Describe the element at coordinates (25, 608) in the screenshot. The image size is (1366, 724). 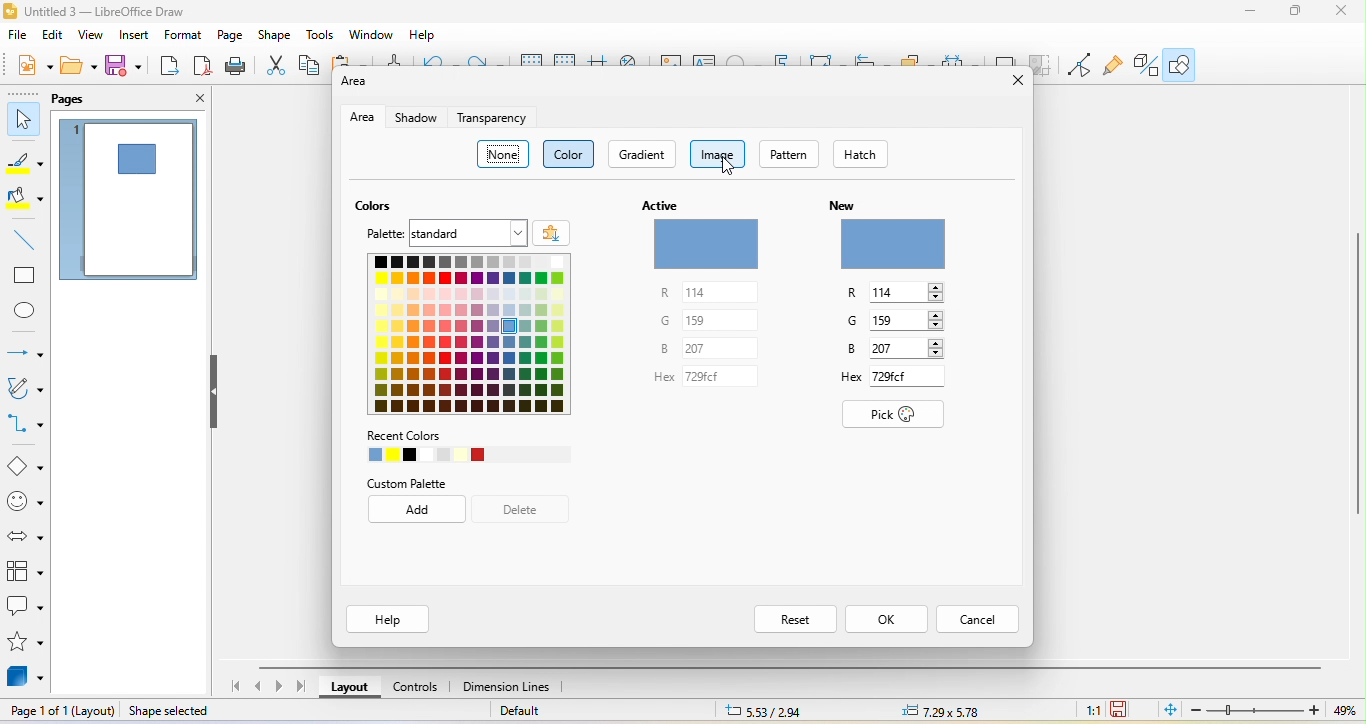
I see `callout shape` at that location.